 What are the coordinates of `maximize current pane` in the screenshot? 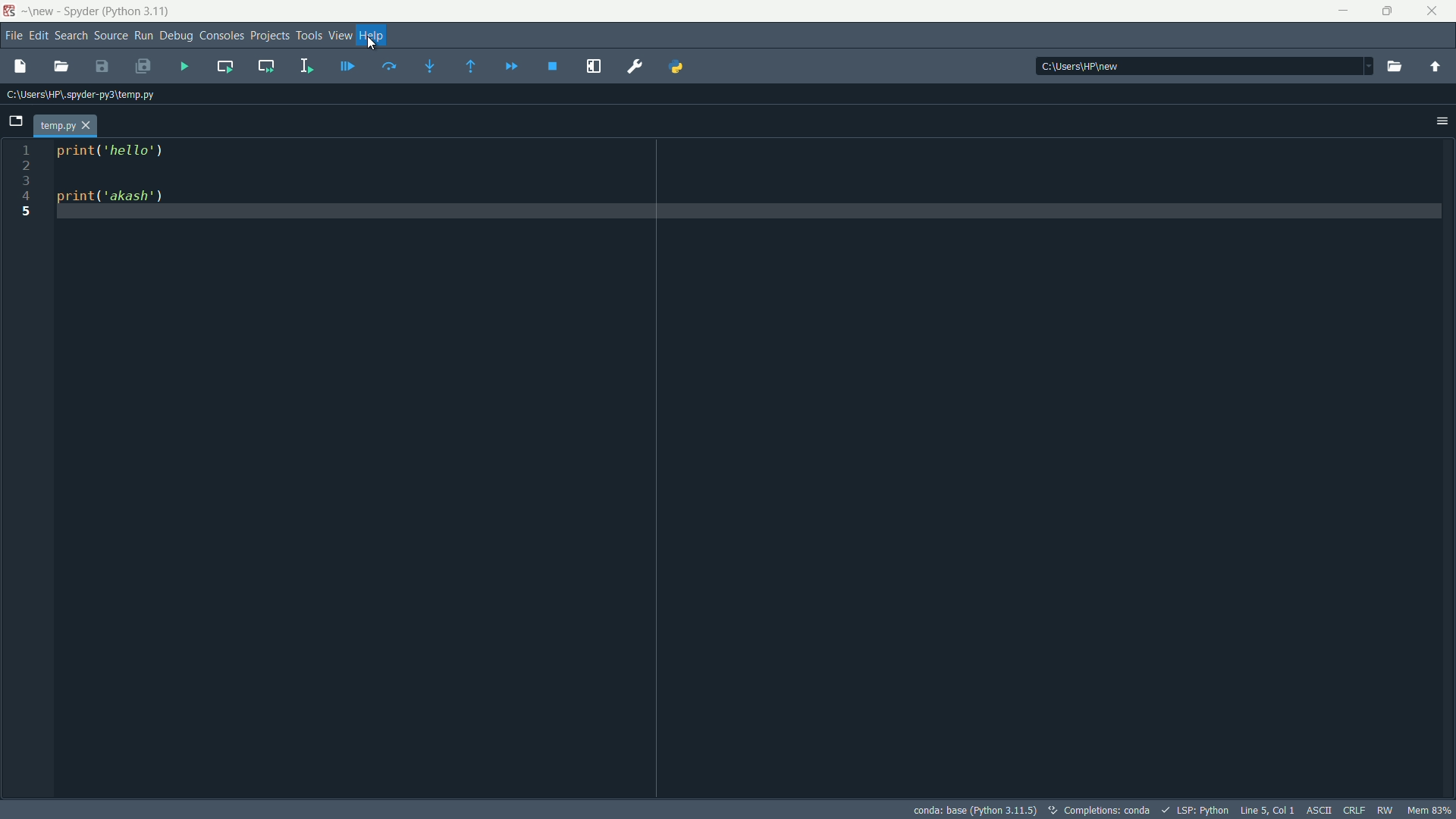 It's located at (594, 66).